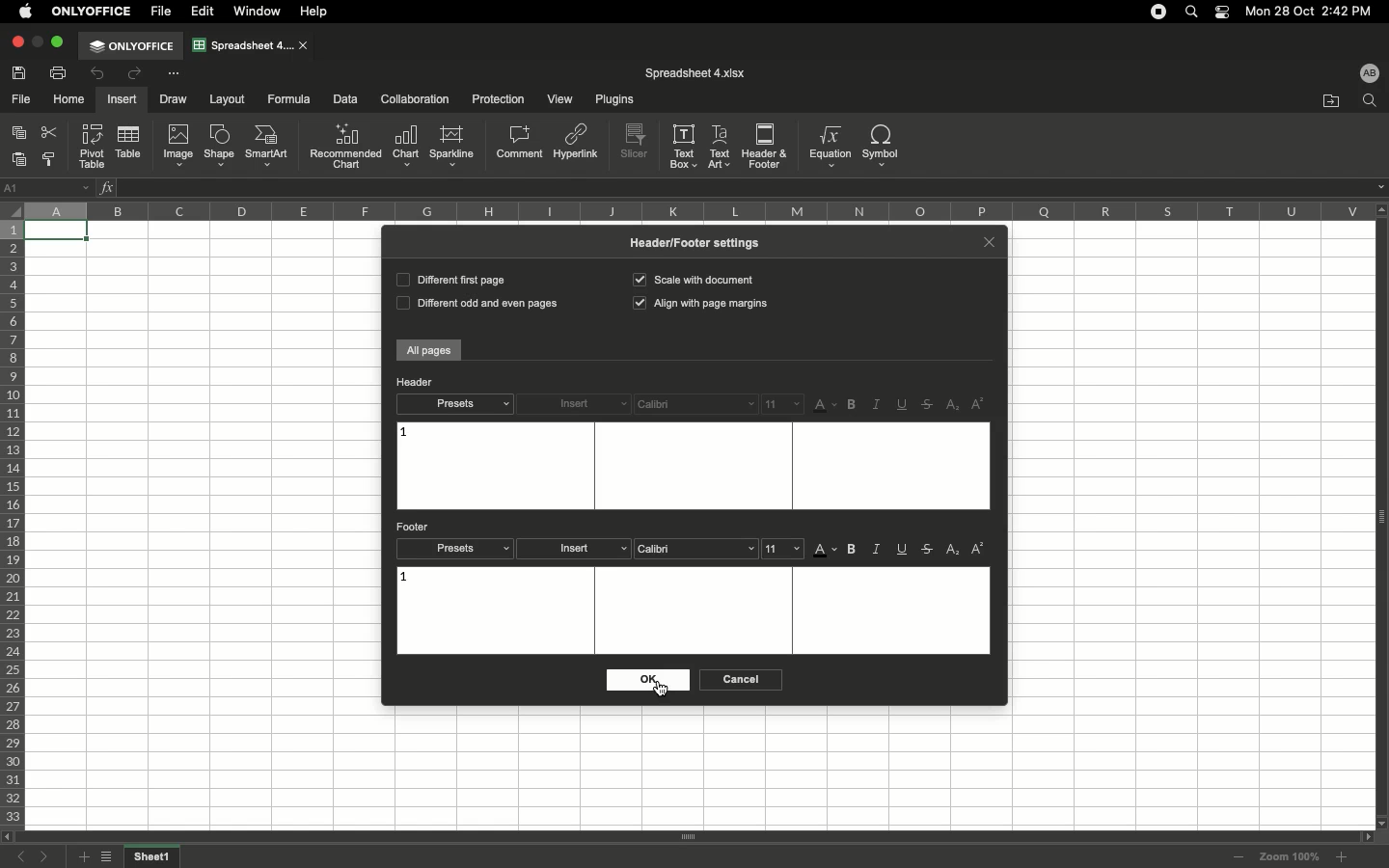 This screenshot has height=868, width=1389. I want to click on Zoom out, so click(1239, 858).